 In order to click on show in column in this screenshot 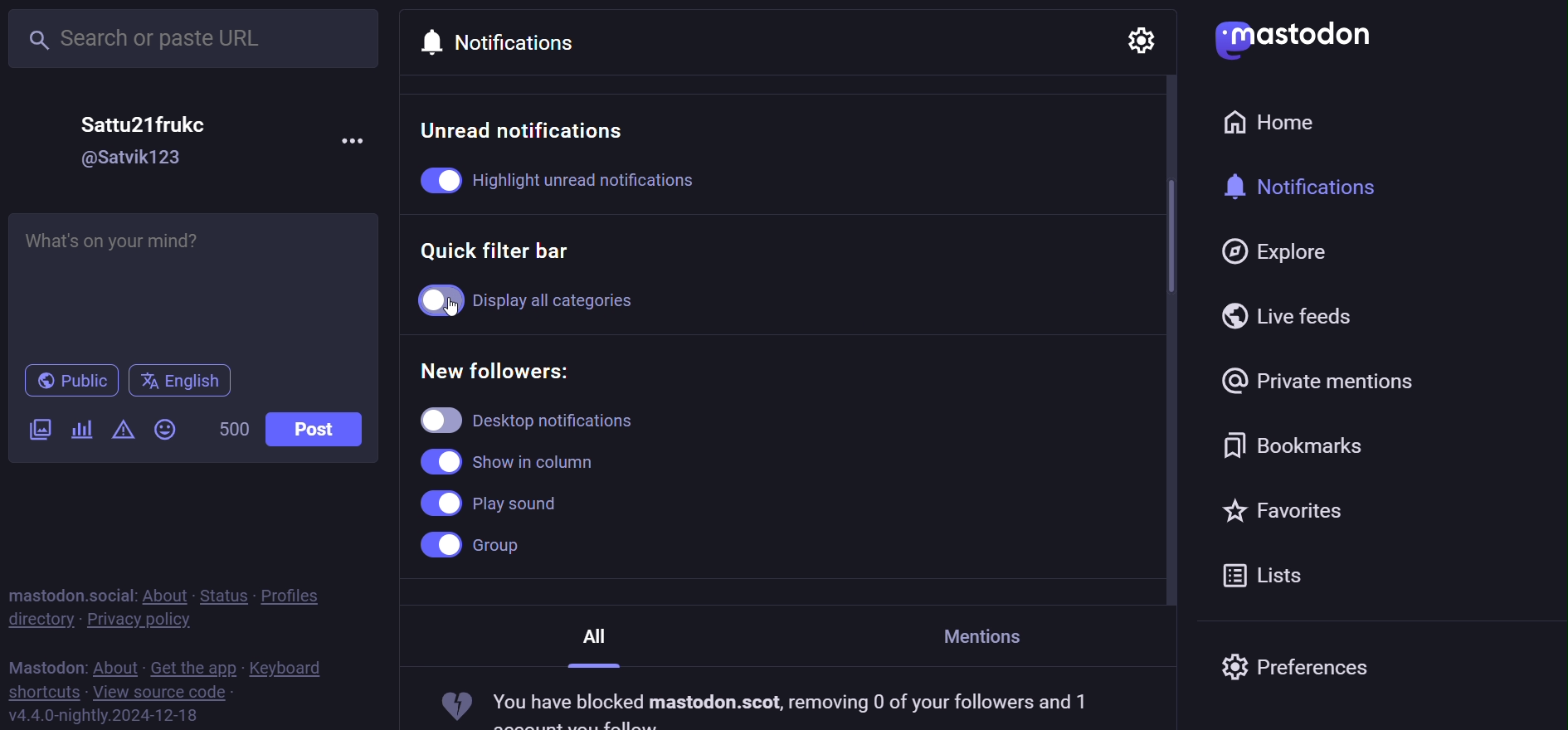, I will do `click(515, 460)`.